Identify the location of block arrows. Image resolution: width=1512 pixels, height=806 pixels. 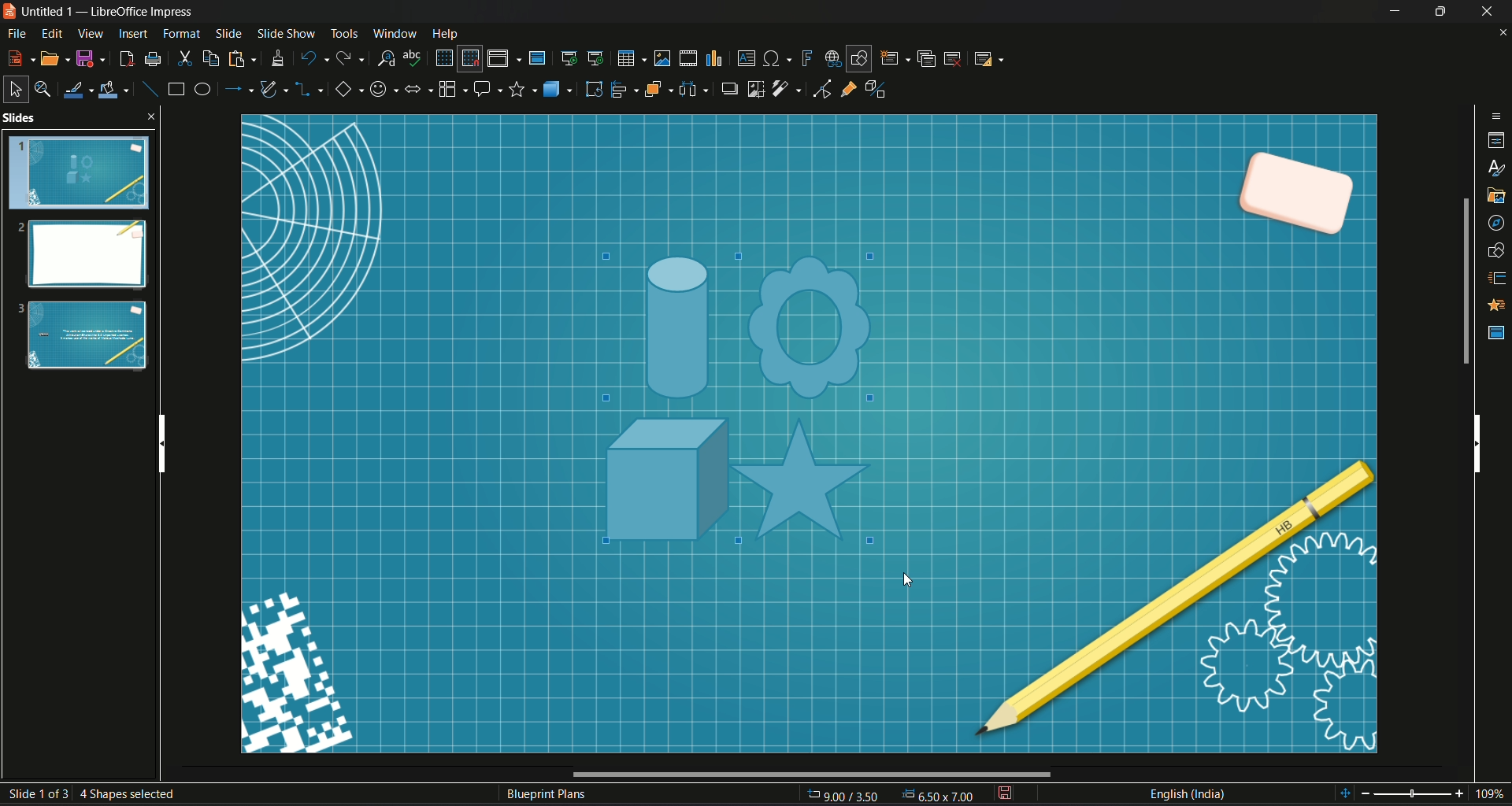
(417, 91).